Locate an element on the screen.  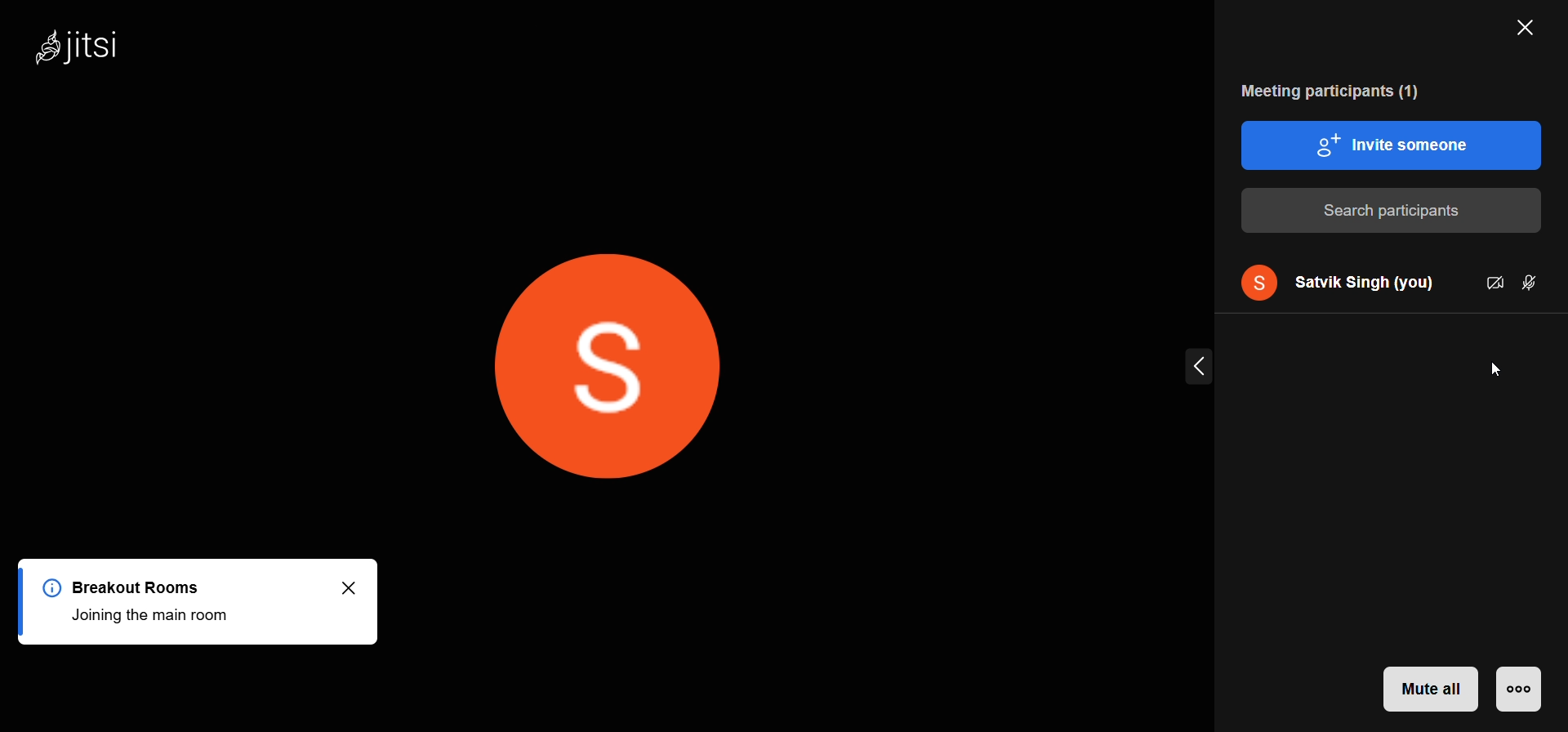
Jitsi is located at coordinates (82, 42).